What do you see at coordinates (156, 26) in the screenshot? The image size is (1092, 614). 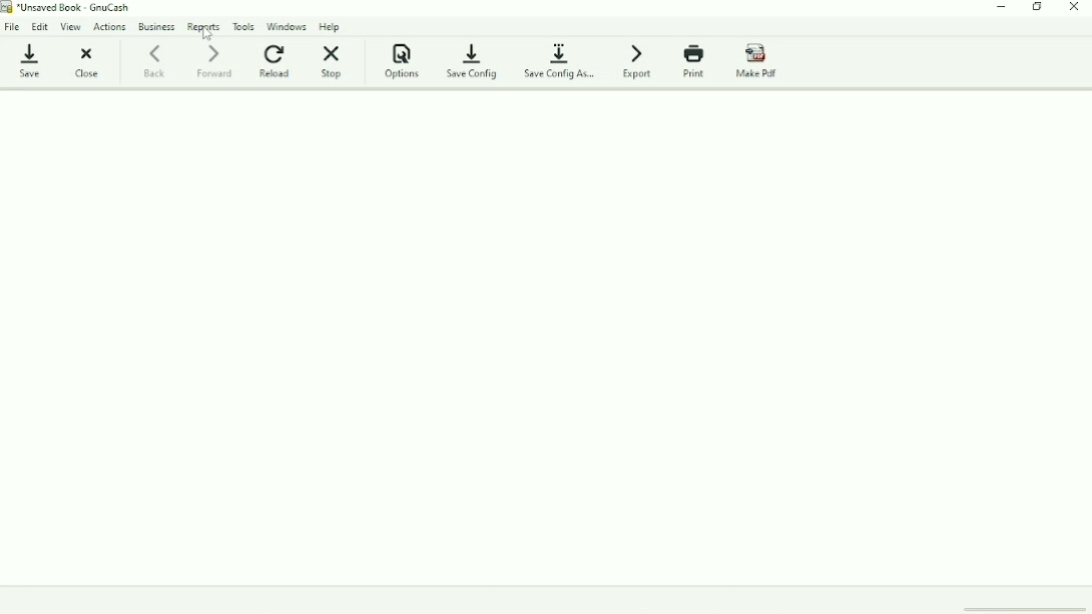 I see `Business` at bounding box center [156, 26].